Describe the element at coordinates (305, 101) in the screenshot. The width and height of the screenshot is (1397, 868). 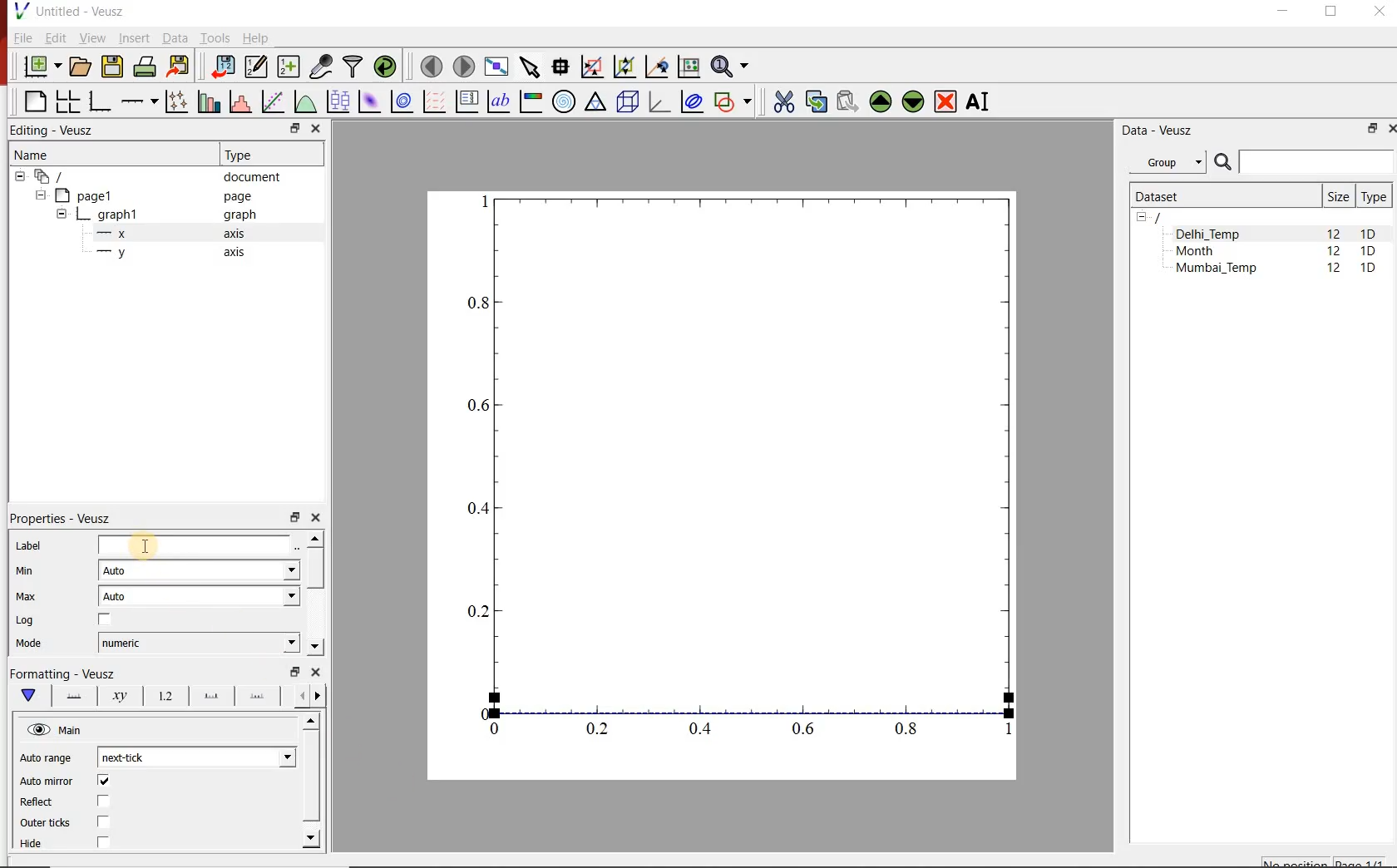
I see `plot a function` at that location.